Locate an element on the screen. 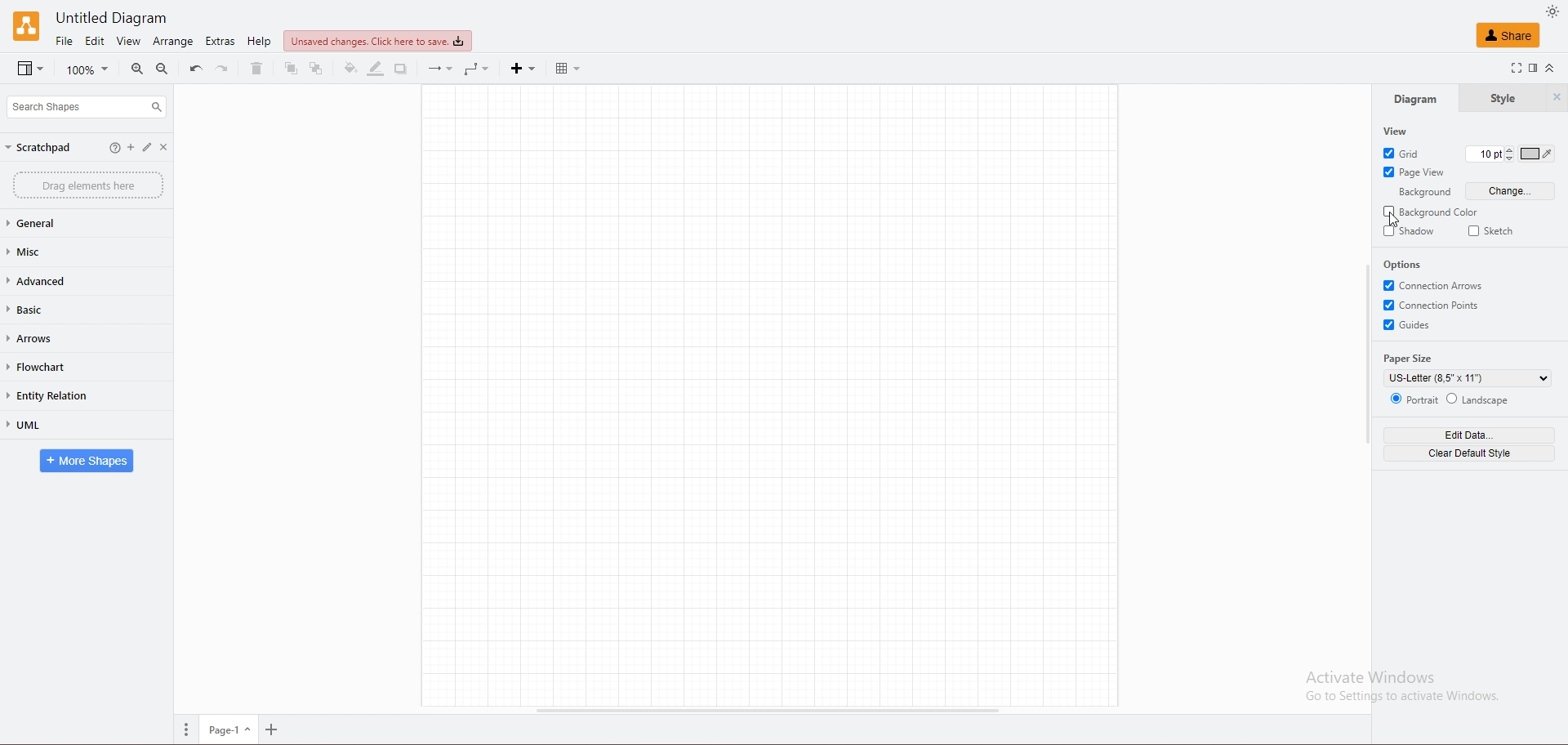 This screenshot has height=745, width=1568. basic is located at coordinates (63, 310).